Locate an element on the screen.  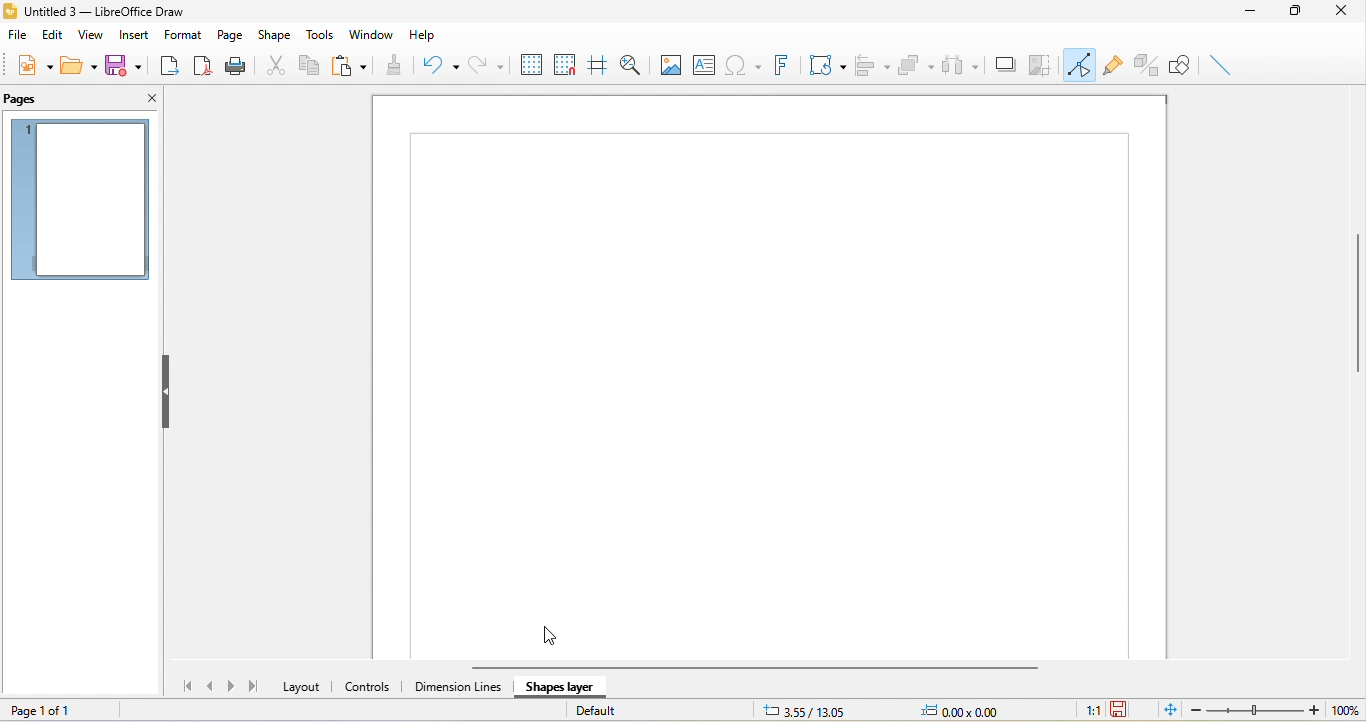
next page is located at coordinates (233, 685).